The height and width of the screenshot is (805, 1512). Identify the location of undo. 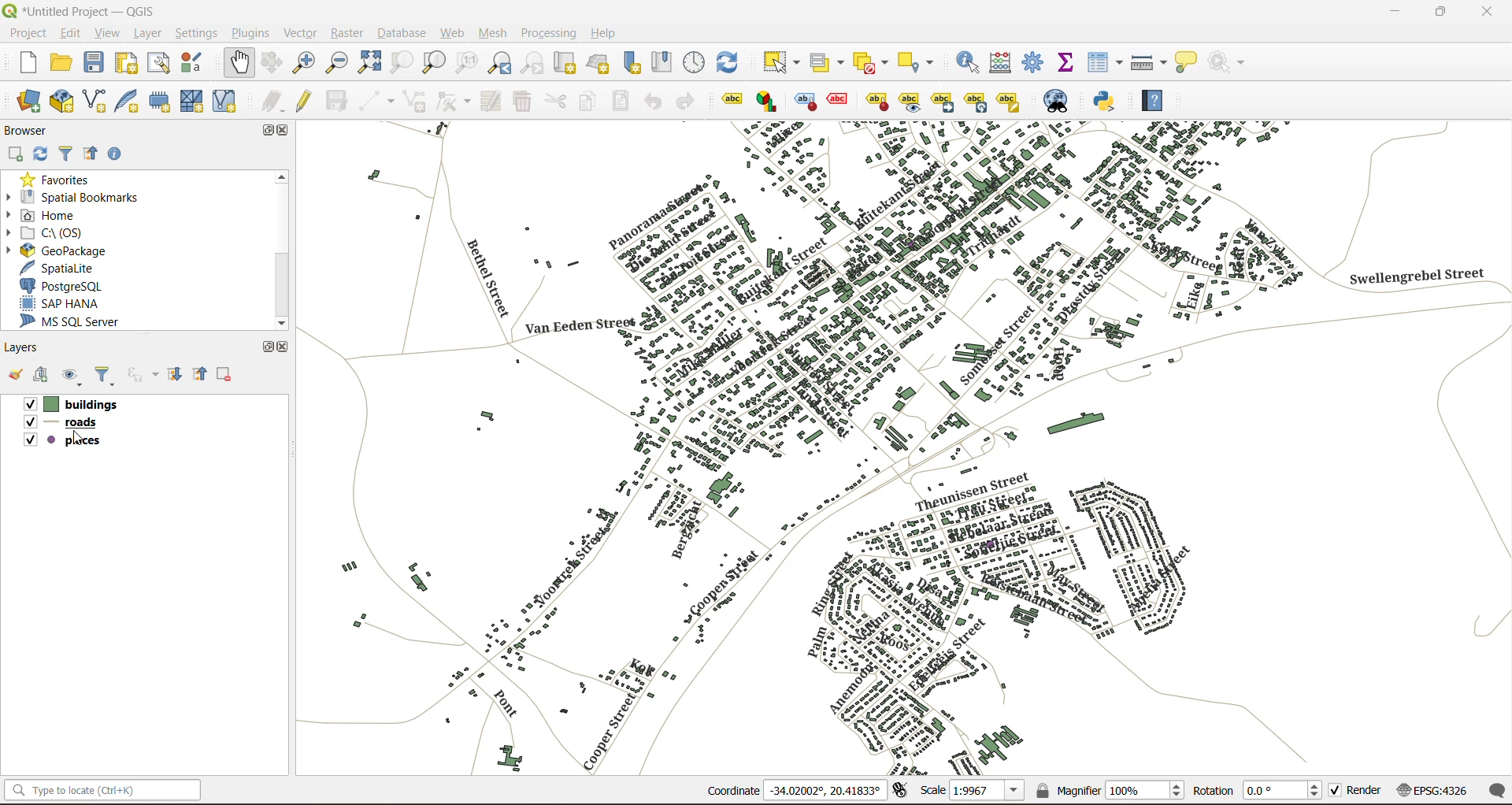
(652, 102).